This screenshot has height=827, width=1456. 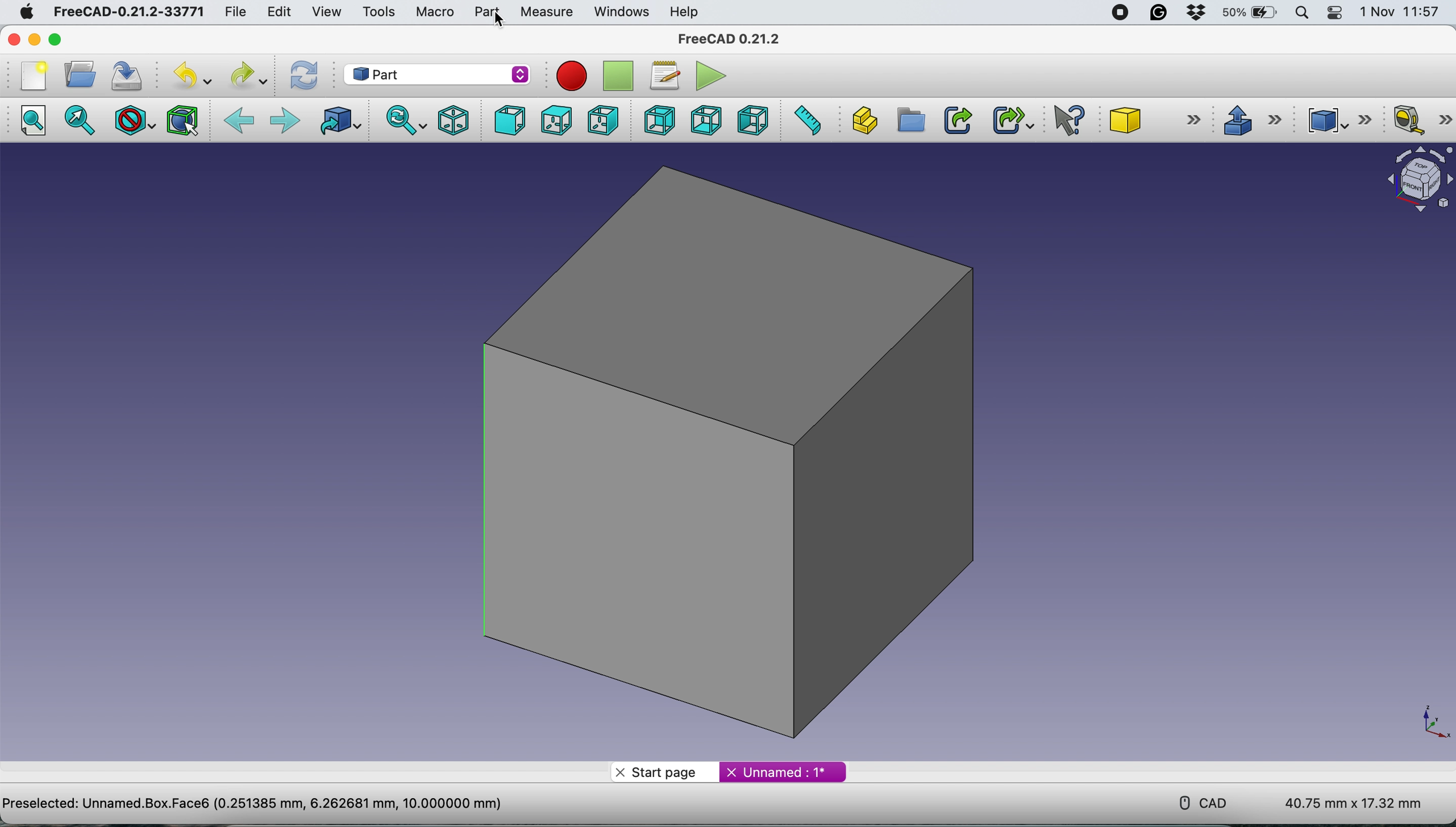 I want to click on fit all selection, so click(x=84, y=120).